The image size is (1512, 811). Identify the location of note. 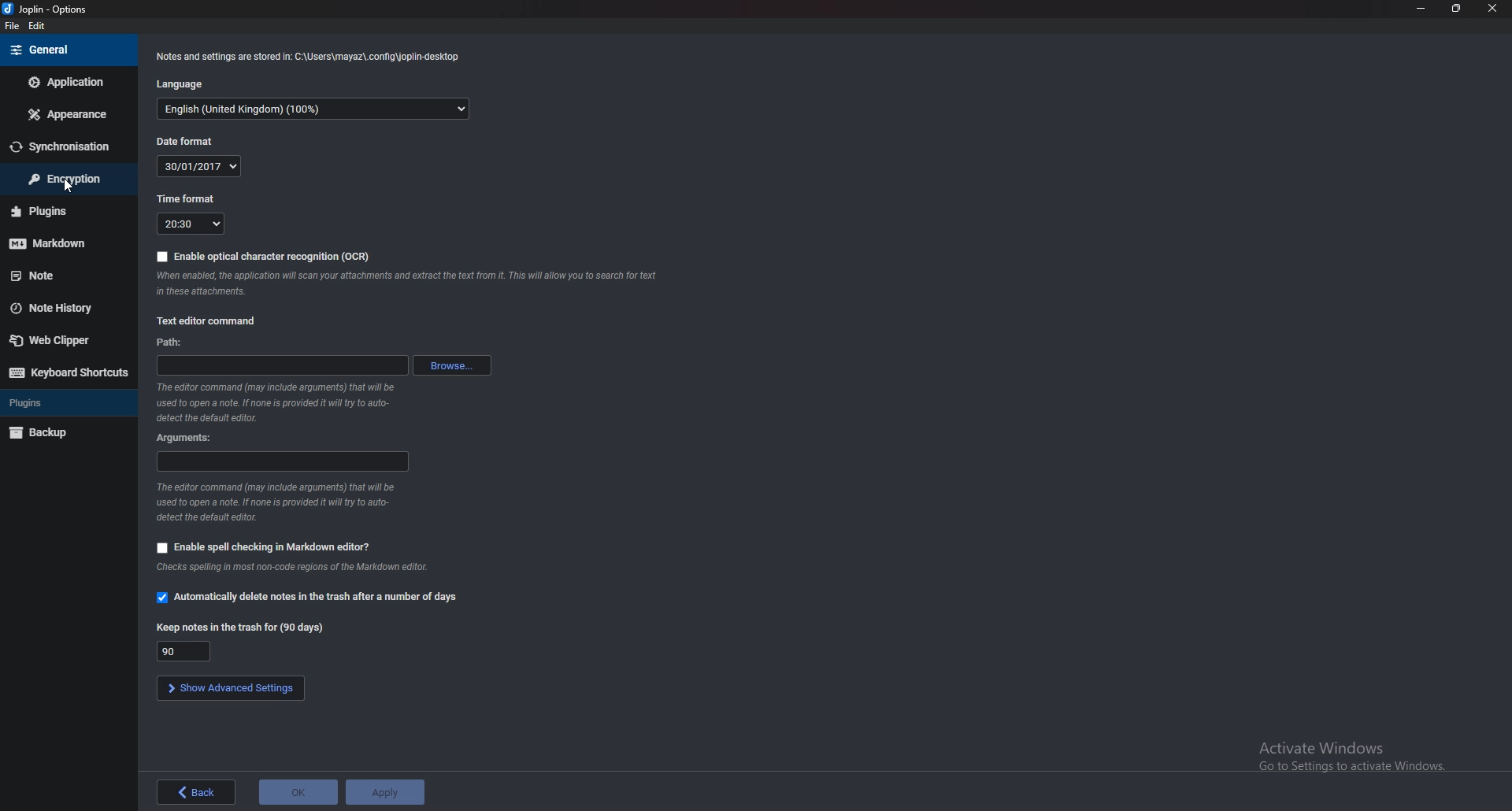
(63, 276).